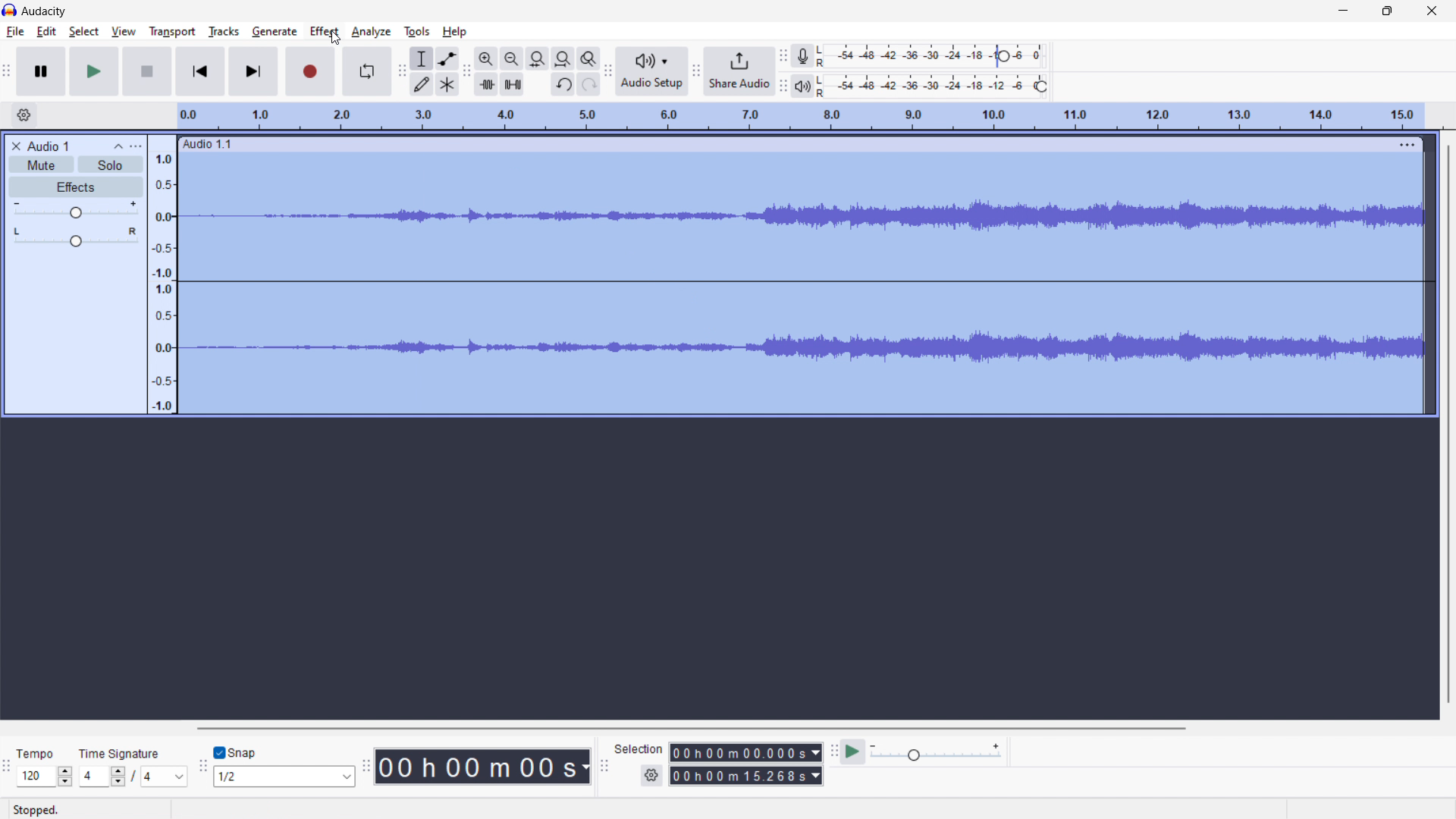 Image resolution: width=1456 pixels, height=819 pixels. What do you see at coordinates (739, 71) in the screenshot?
I see `share audio` at bounding box center [739, 71].